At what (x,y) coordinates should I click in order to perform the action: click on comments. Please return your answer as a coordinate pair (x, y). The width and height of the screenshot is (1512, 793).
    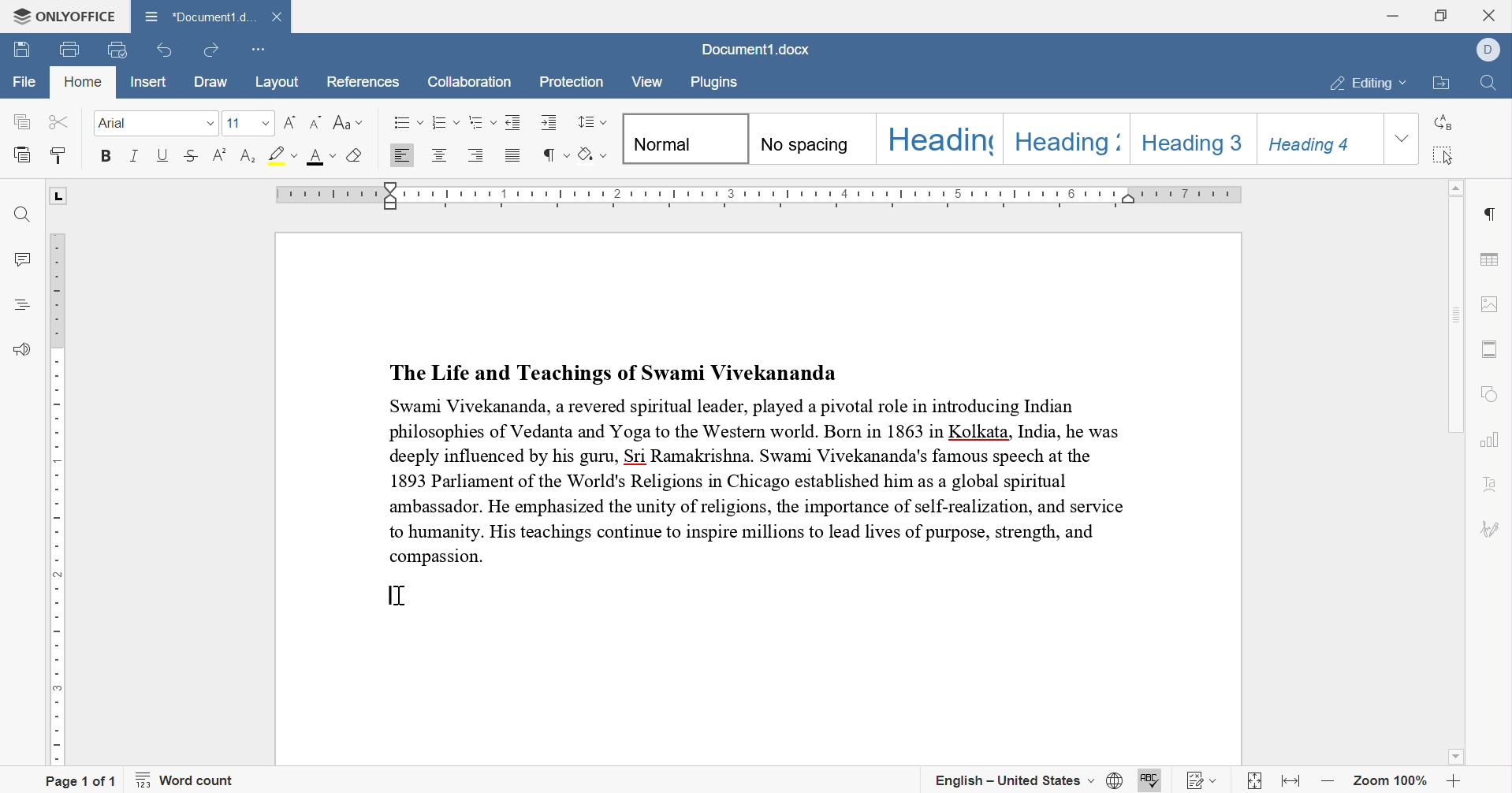
    Looking at the image, I should click on (28, 261).